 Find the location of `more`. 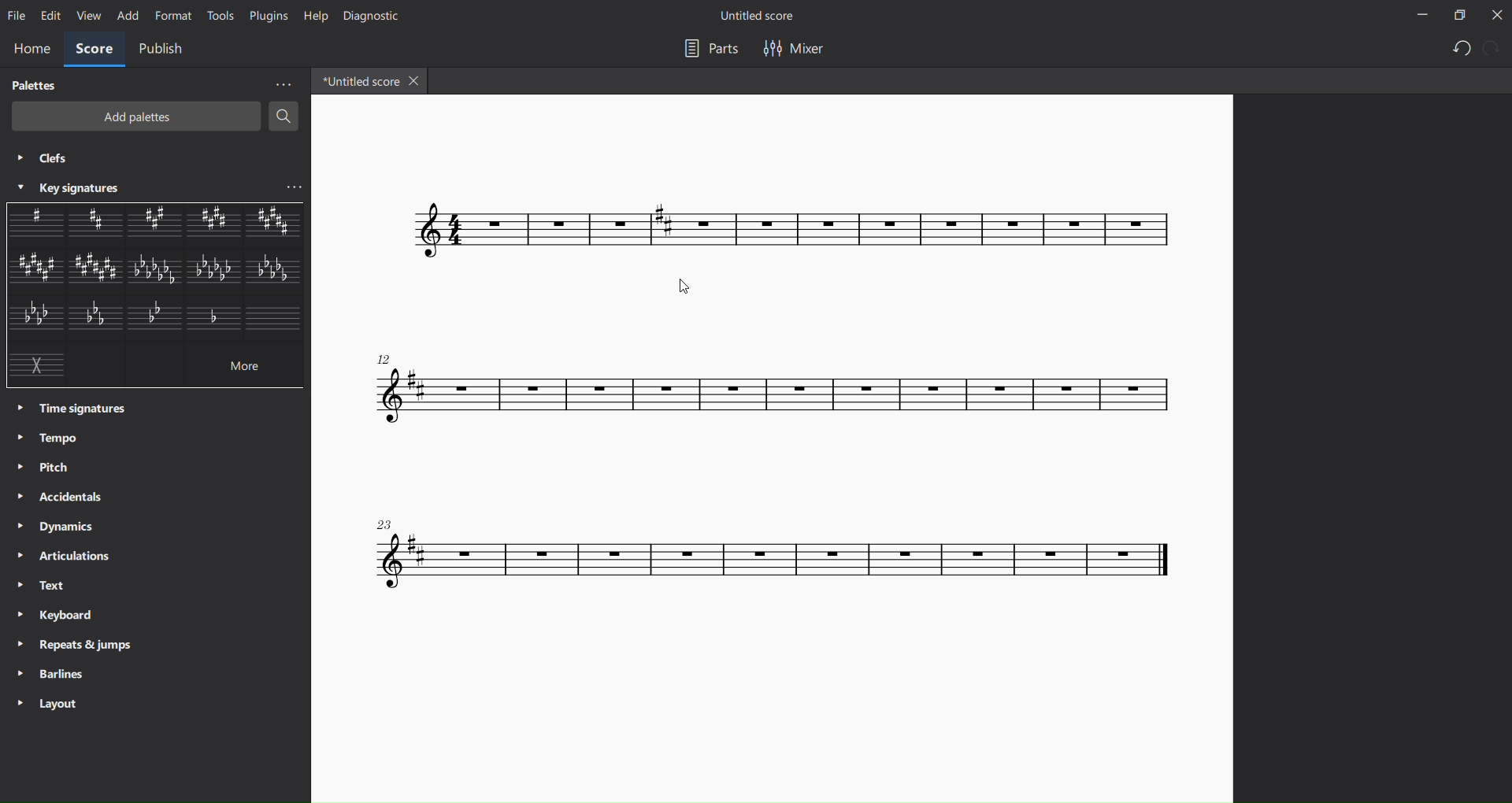

more is located at coordinates (242, 368).